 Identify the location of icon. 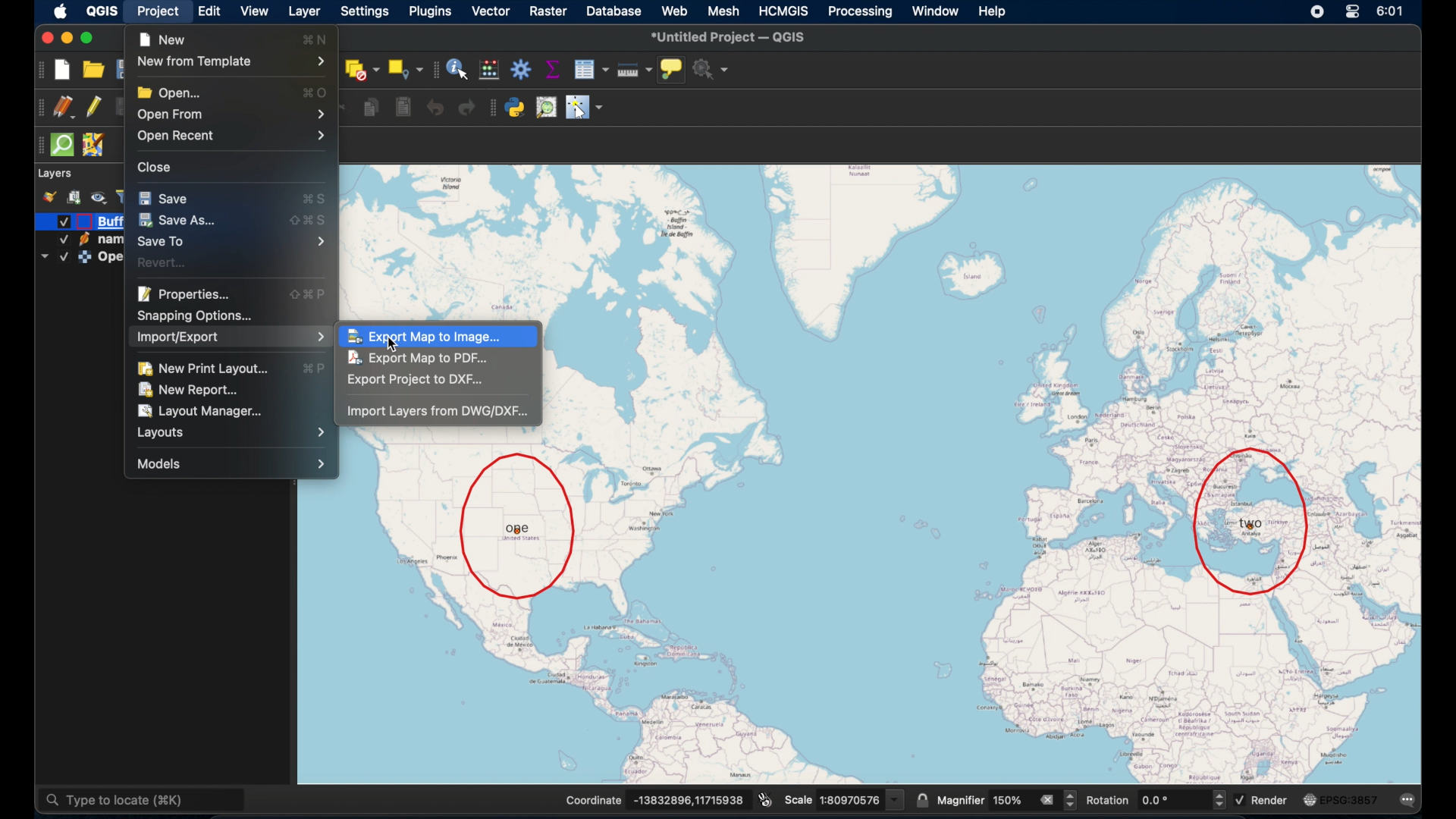
(83, 240).